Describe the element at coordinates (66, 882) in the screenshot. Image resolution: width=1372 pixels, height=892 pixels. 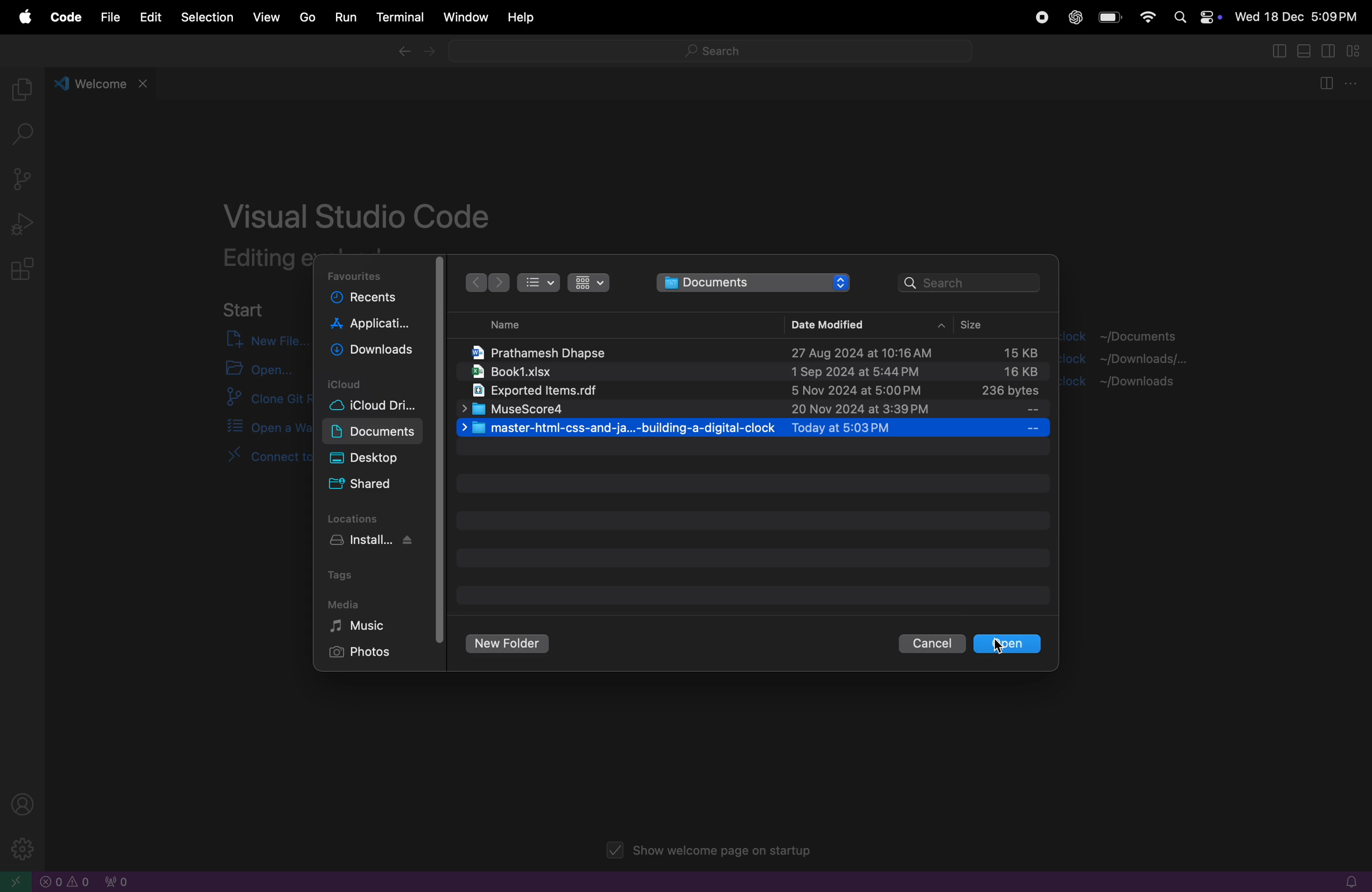
I see `no problems` at that location.